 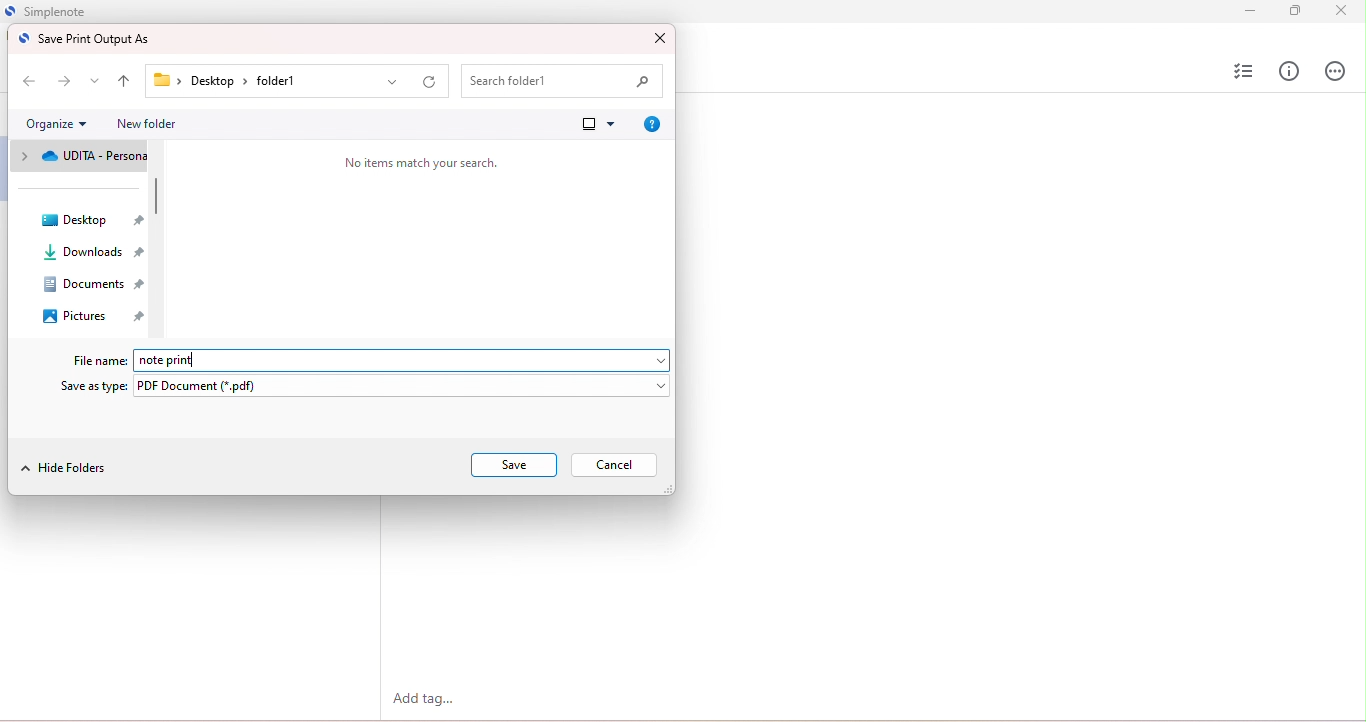 What do you see at coordinates (406, 387) in the screenshot?
I see `select file type` at bounding box center [406, 387].